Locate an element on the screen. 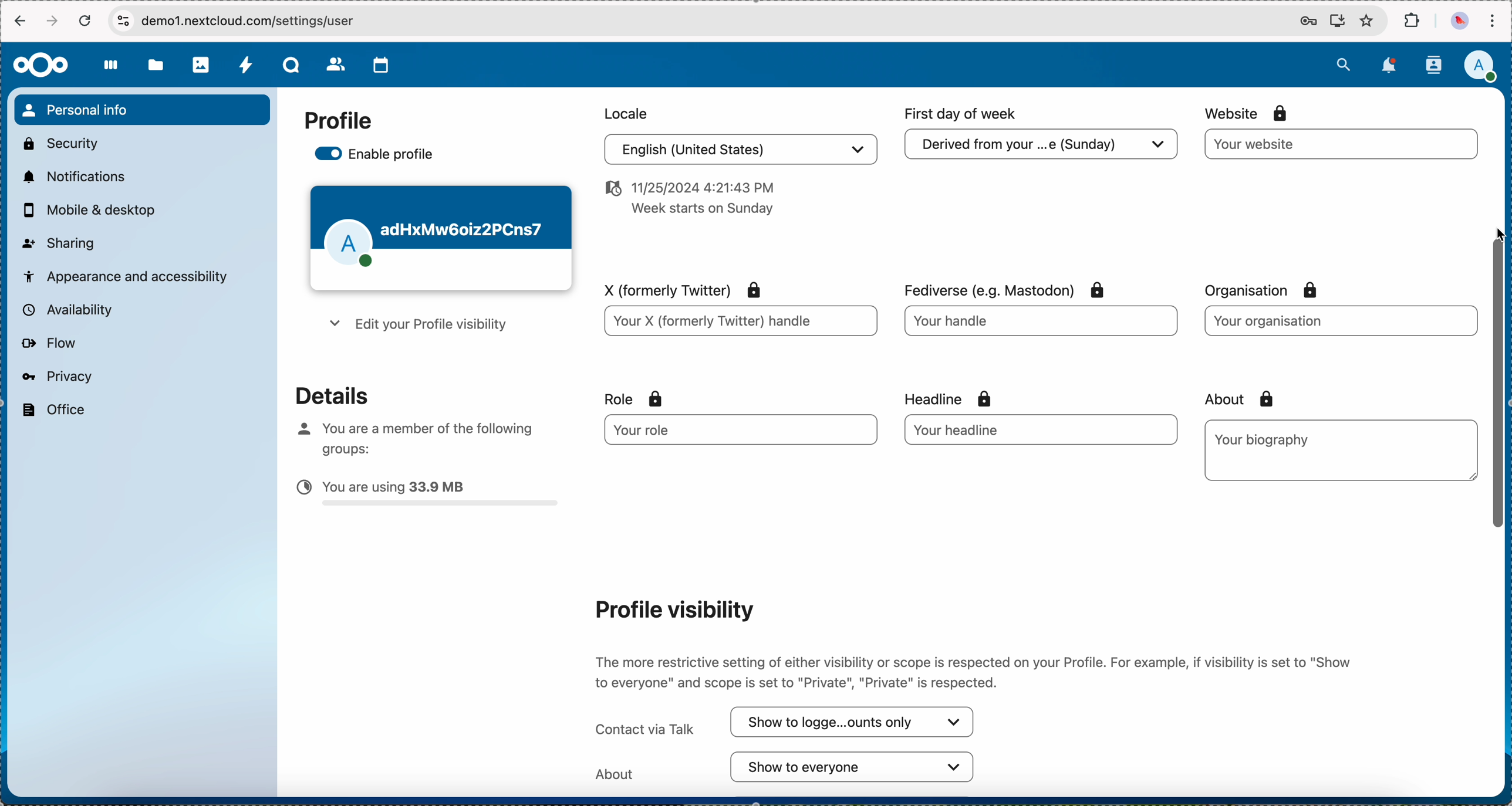  capacity is located at coordinates (428, 496).